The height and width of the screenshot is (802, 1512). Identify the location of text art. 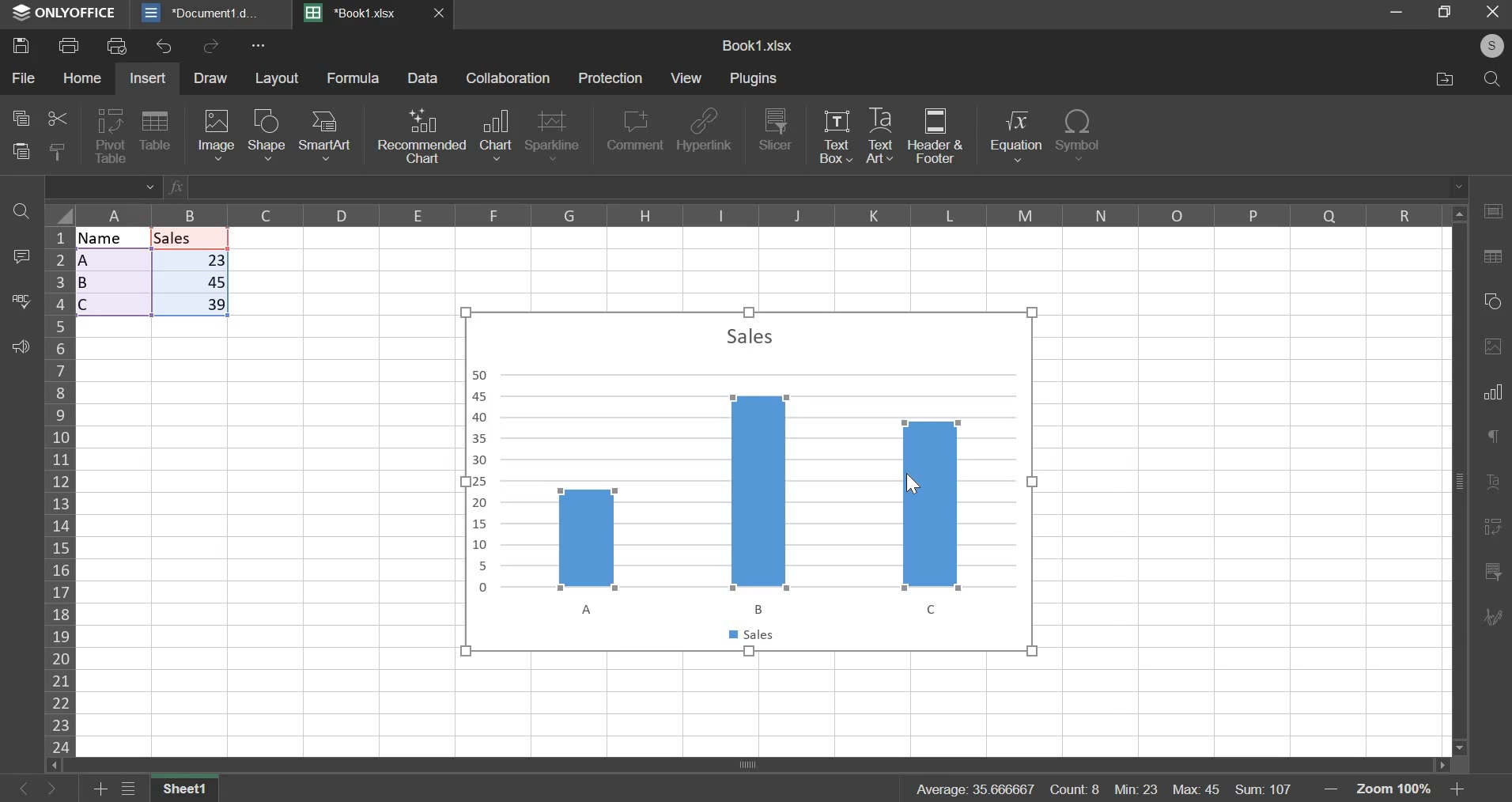
(878, 138).